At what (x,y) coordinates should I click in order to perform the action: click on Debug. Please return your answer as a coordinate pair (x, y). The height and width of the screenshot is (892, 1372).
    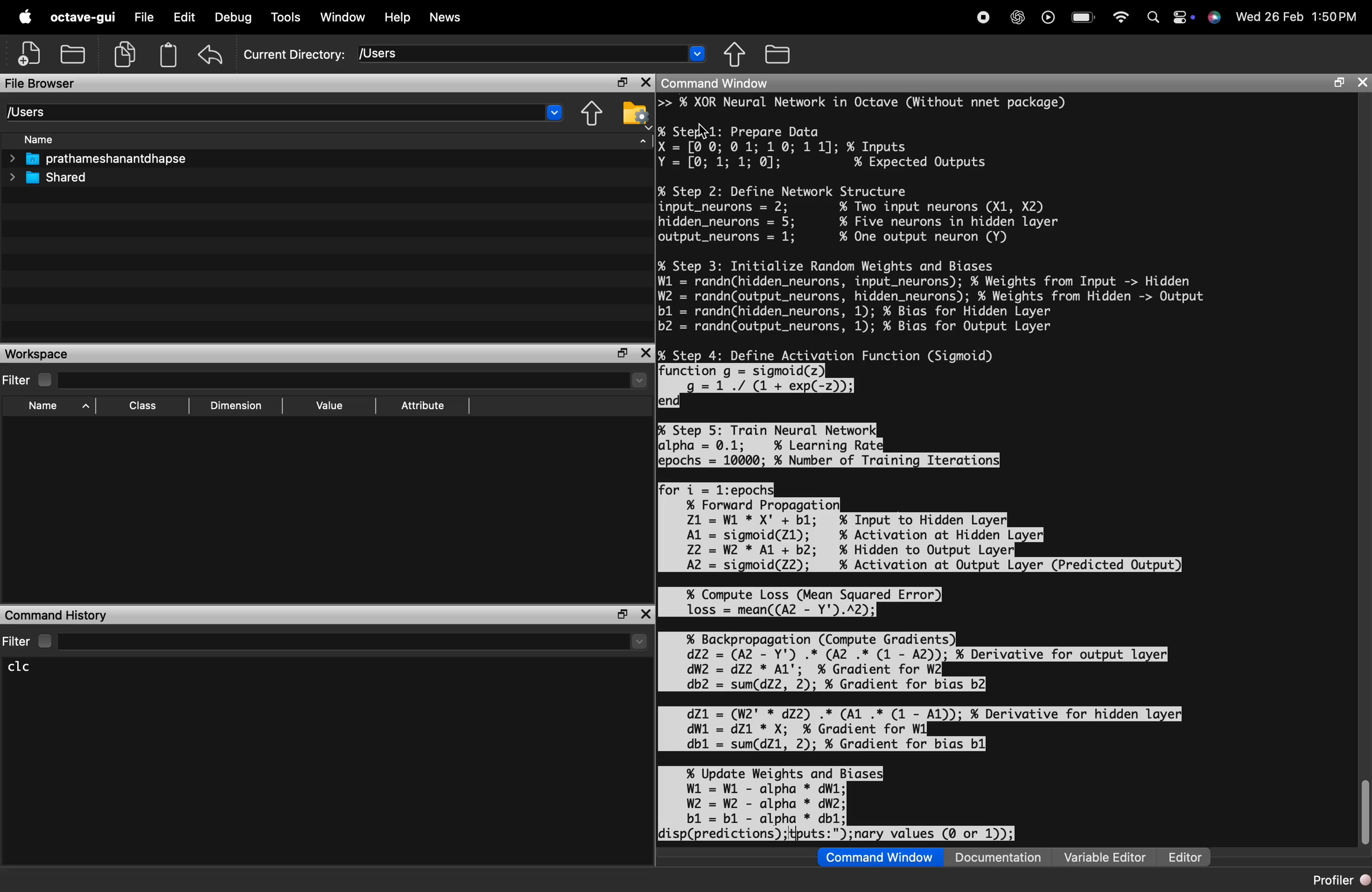
    Looking at the image, I should click on (235, 17).